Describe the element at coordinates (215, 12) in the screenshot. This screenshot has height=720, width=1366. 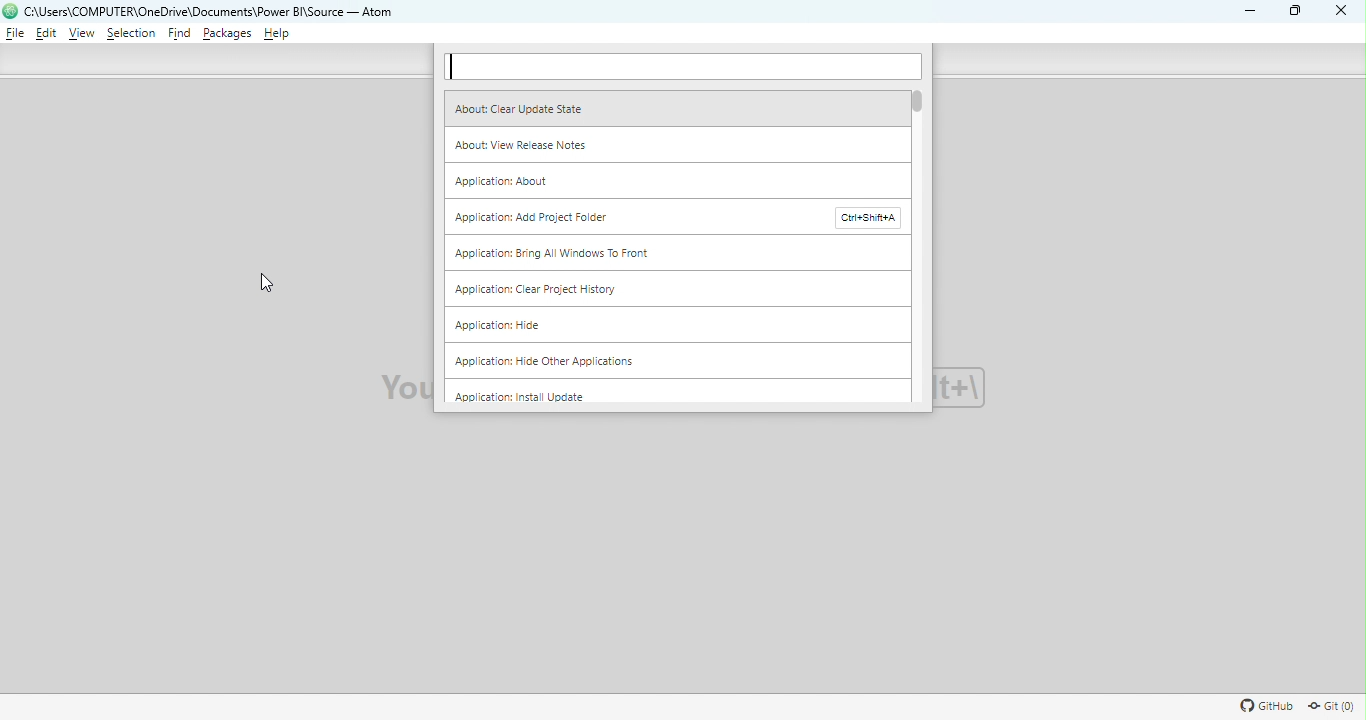
I see `File name` at that location.